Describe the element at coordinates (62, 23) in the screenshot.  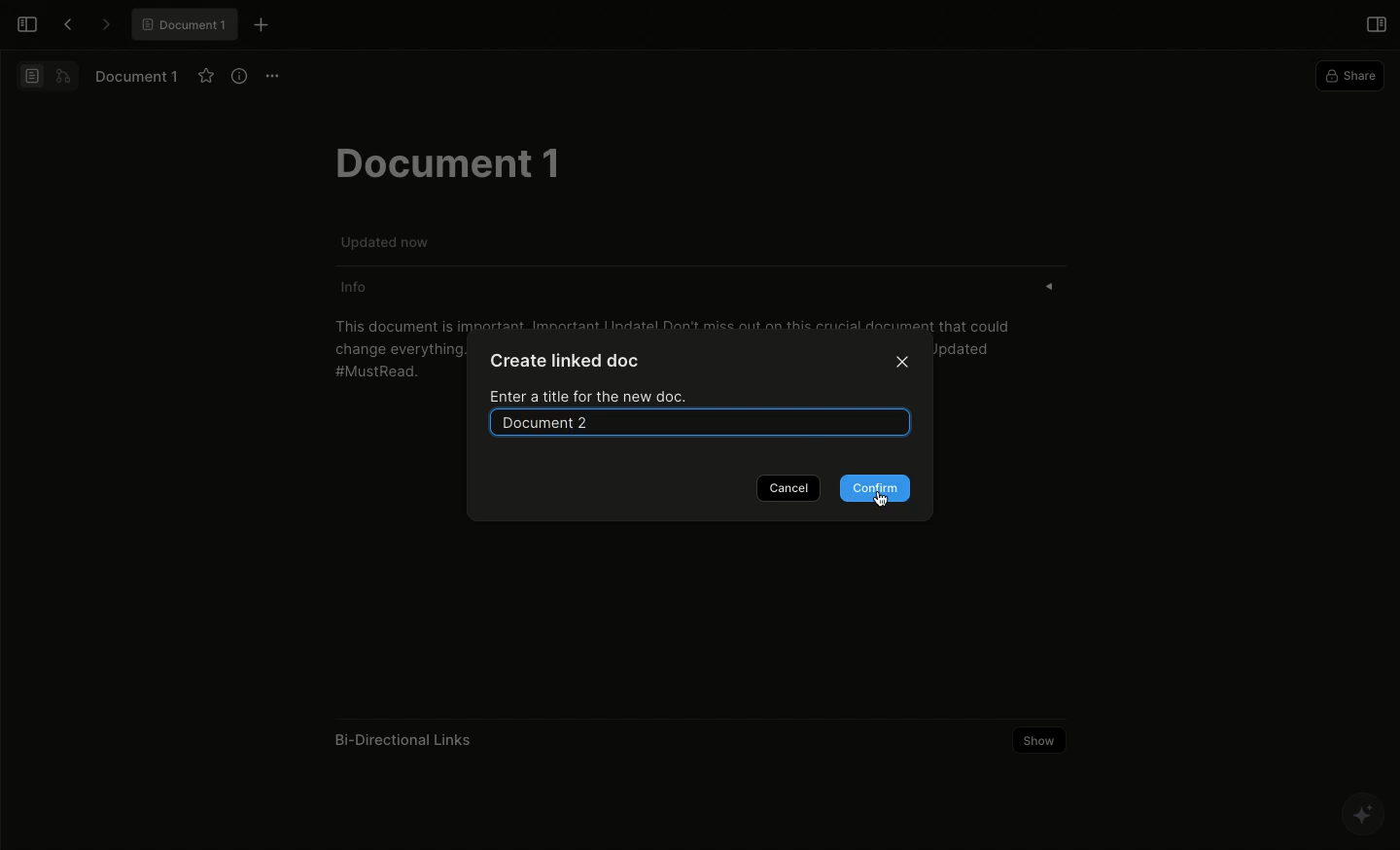
I see `Back` at that location.